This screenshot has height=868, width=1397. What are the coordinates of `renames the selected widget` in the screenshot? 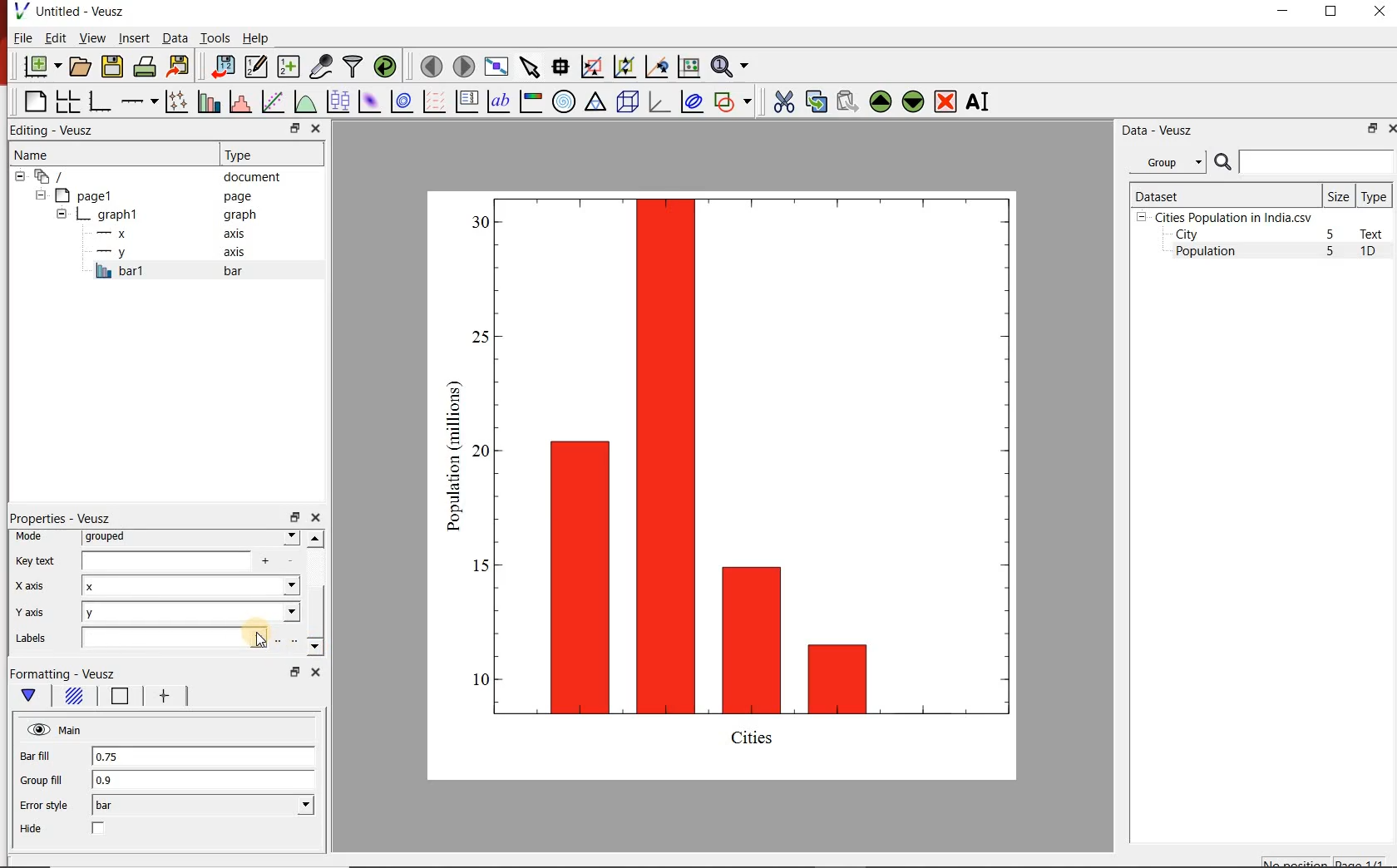 It's located at (979, 101).